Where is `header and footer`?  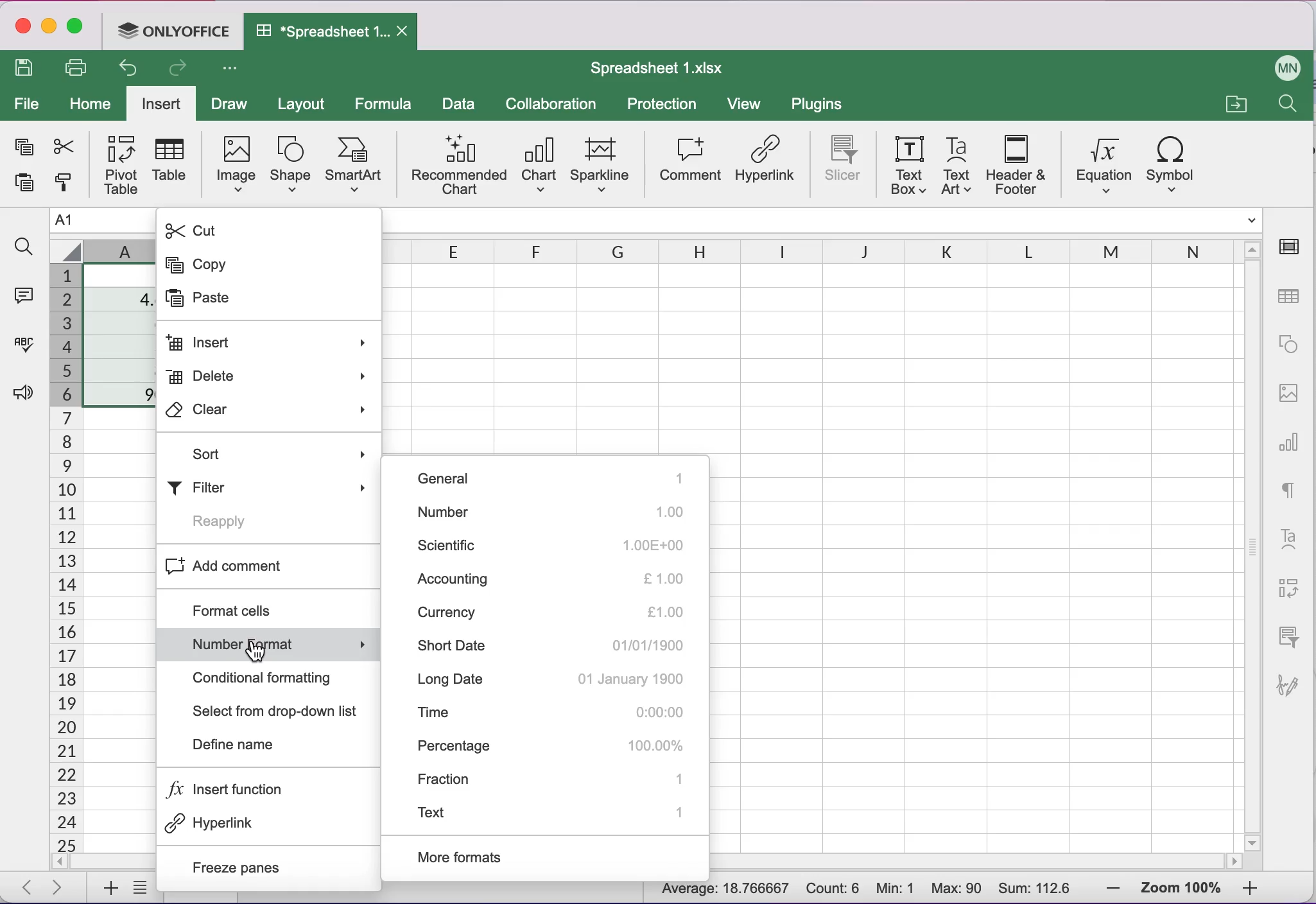 header and footer is located at coordinates (1016, 165).